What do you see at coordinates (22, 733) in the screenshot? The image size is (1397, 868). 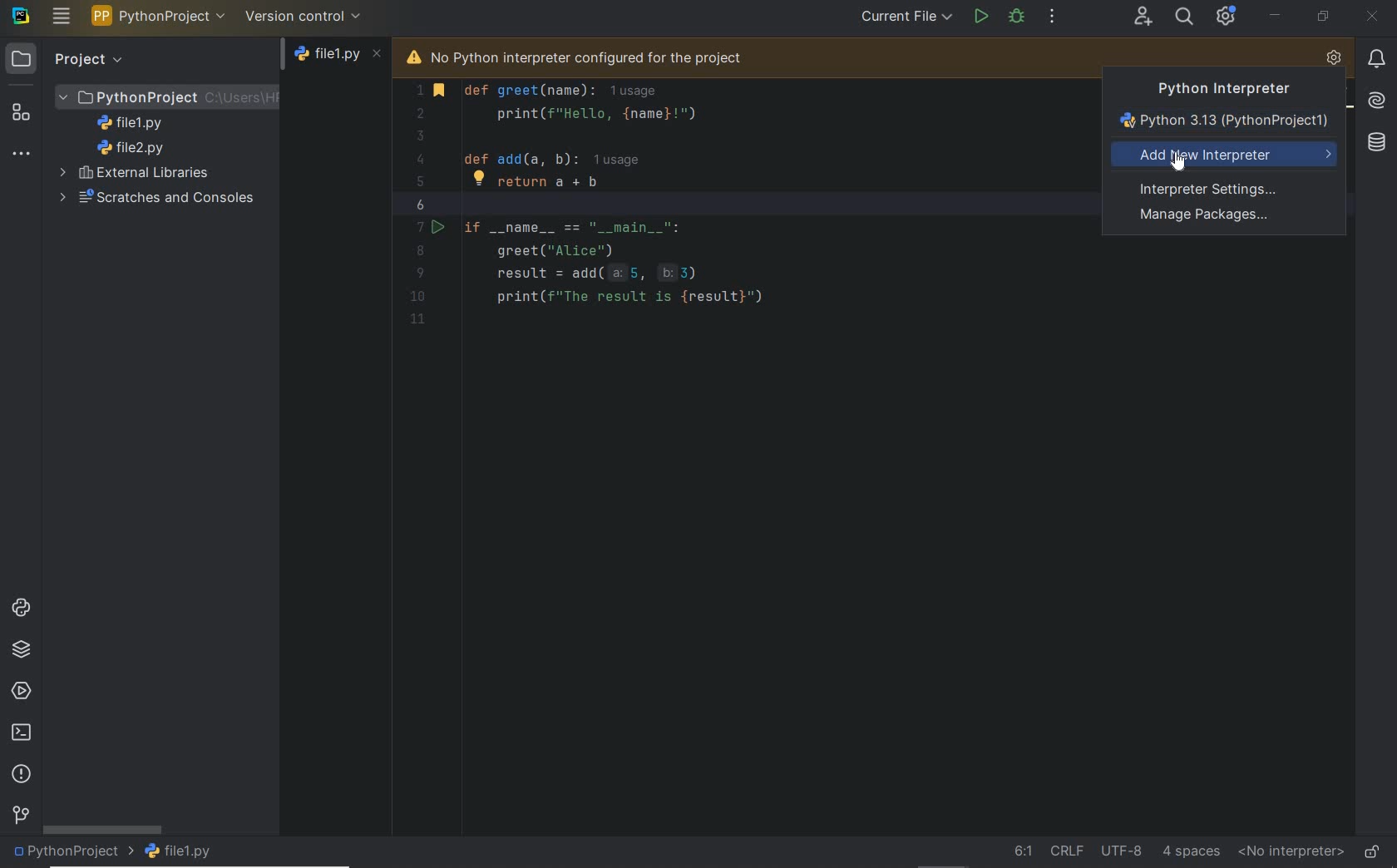 I see `terminal` at bounding box center [22, 733].